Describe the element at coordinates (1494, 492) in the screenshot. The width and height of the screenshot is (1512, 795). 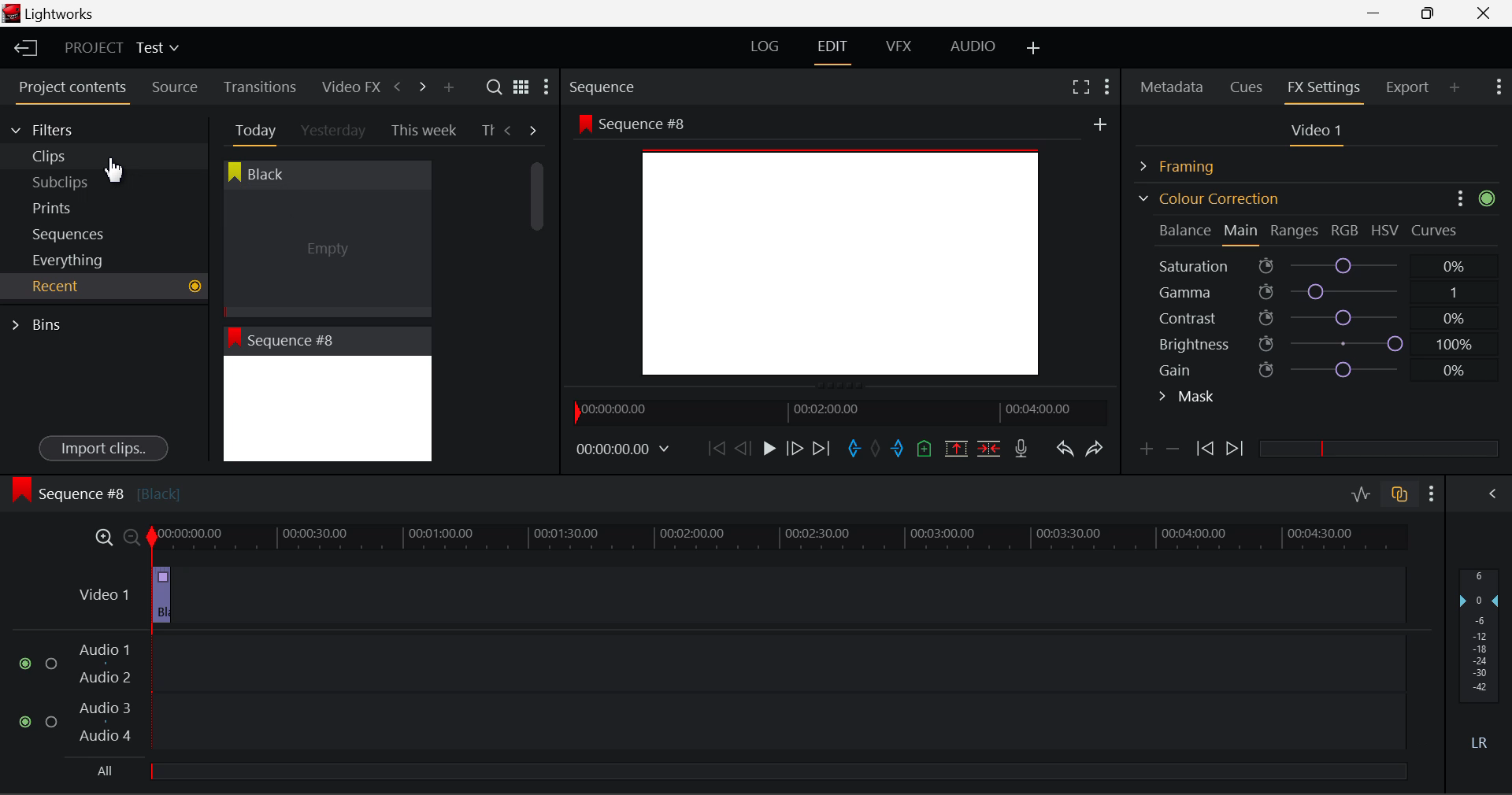
I see `Show Audio Mix` at that location.